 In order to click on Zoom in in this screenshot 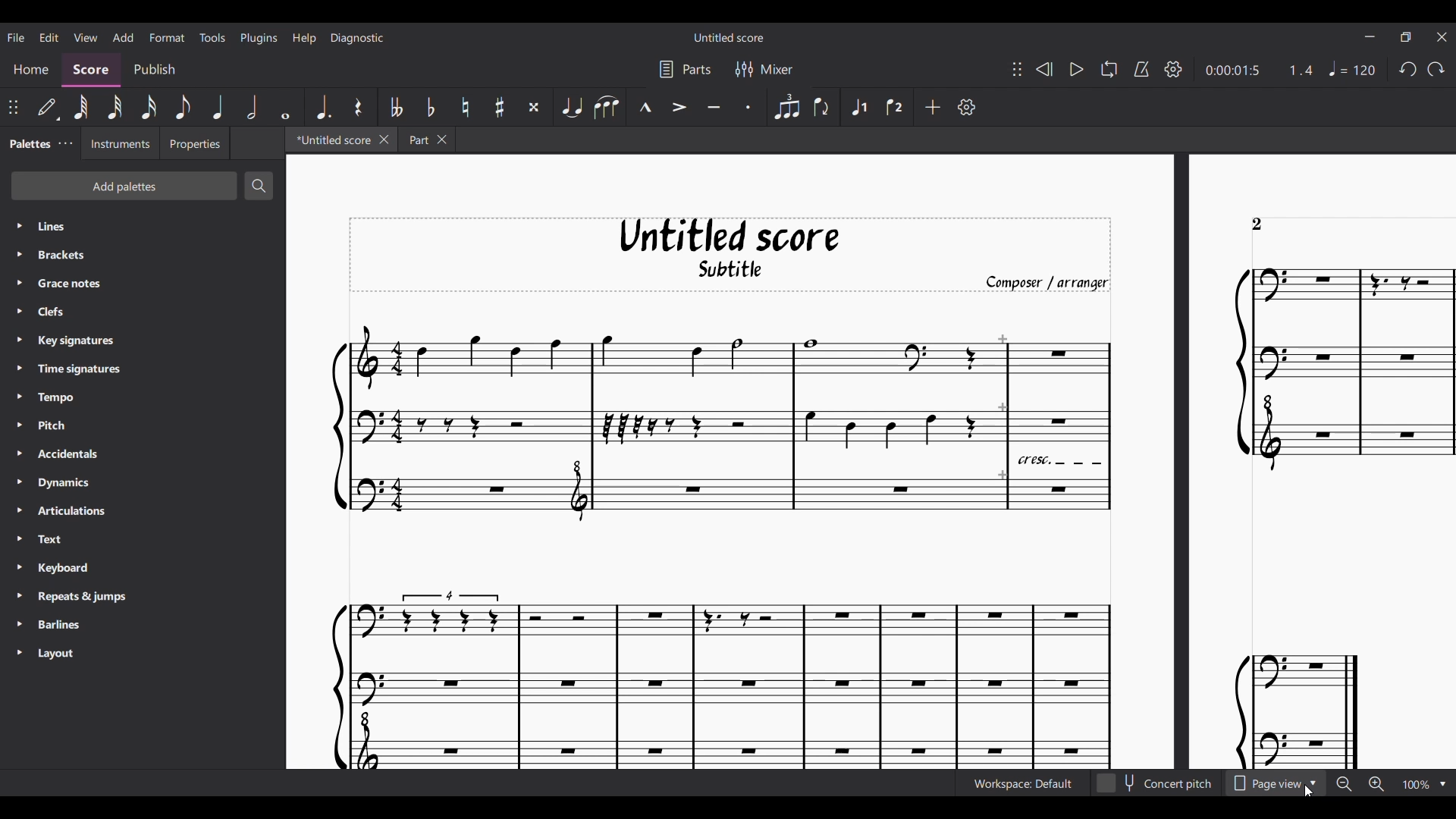, I will do `click(1376, 784)`.